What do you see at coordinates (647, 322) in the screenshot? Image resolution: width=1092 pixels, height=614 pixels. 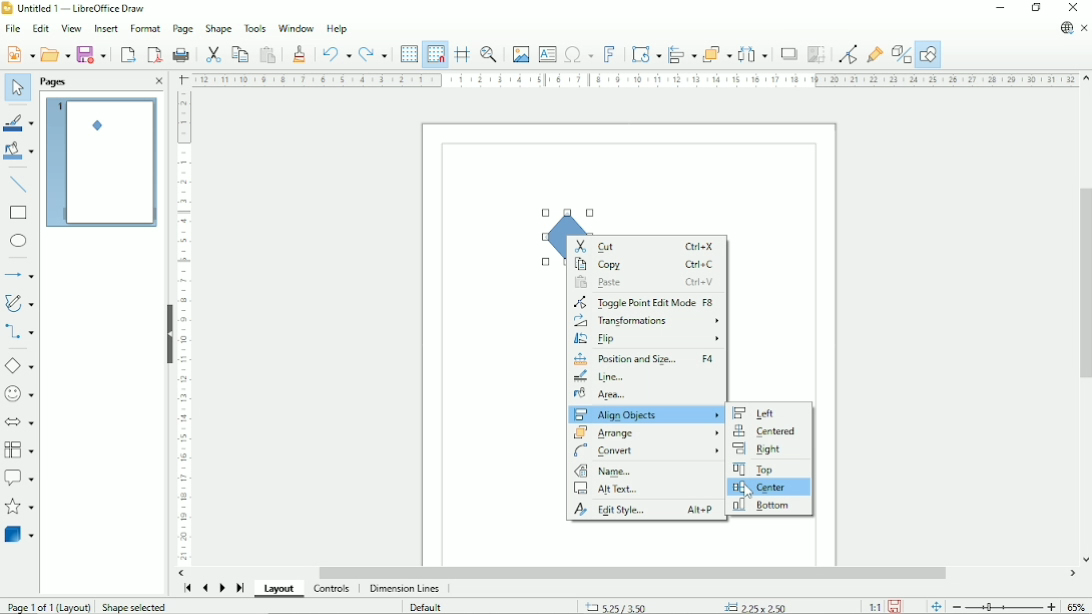 I see `Transformations` at bounding box center [647, 322].